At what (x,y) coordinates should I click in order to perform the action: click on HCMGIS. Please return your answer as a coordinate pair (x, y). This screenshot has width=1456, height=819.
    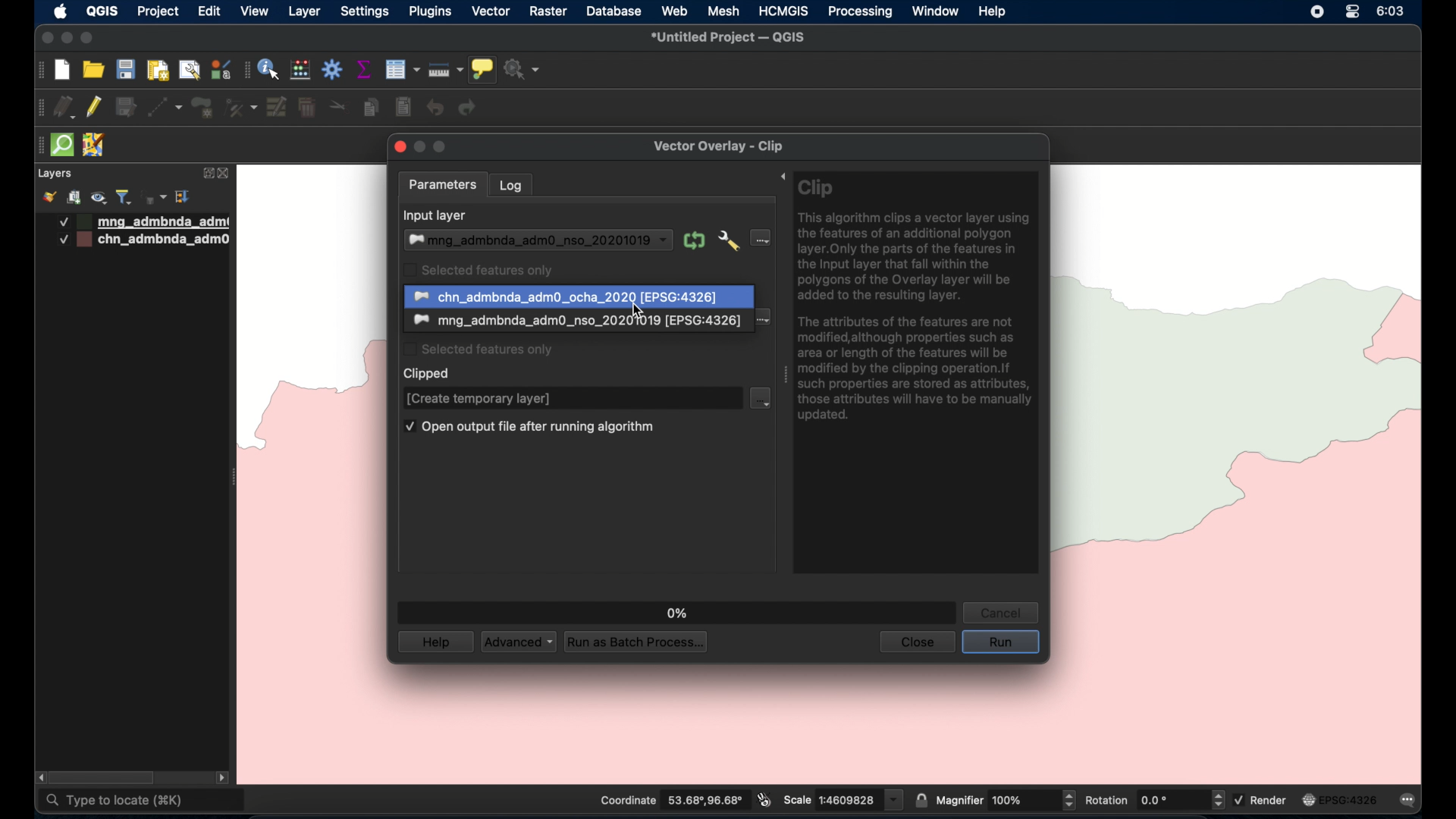
    Looking at the image, I should click on (782, 11).